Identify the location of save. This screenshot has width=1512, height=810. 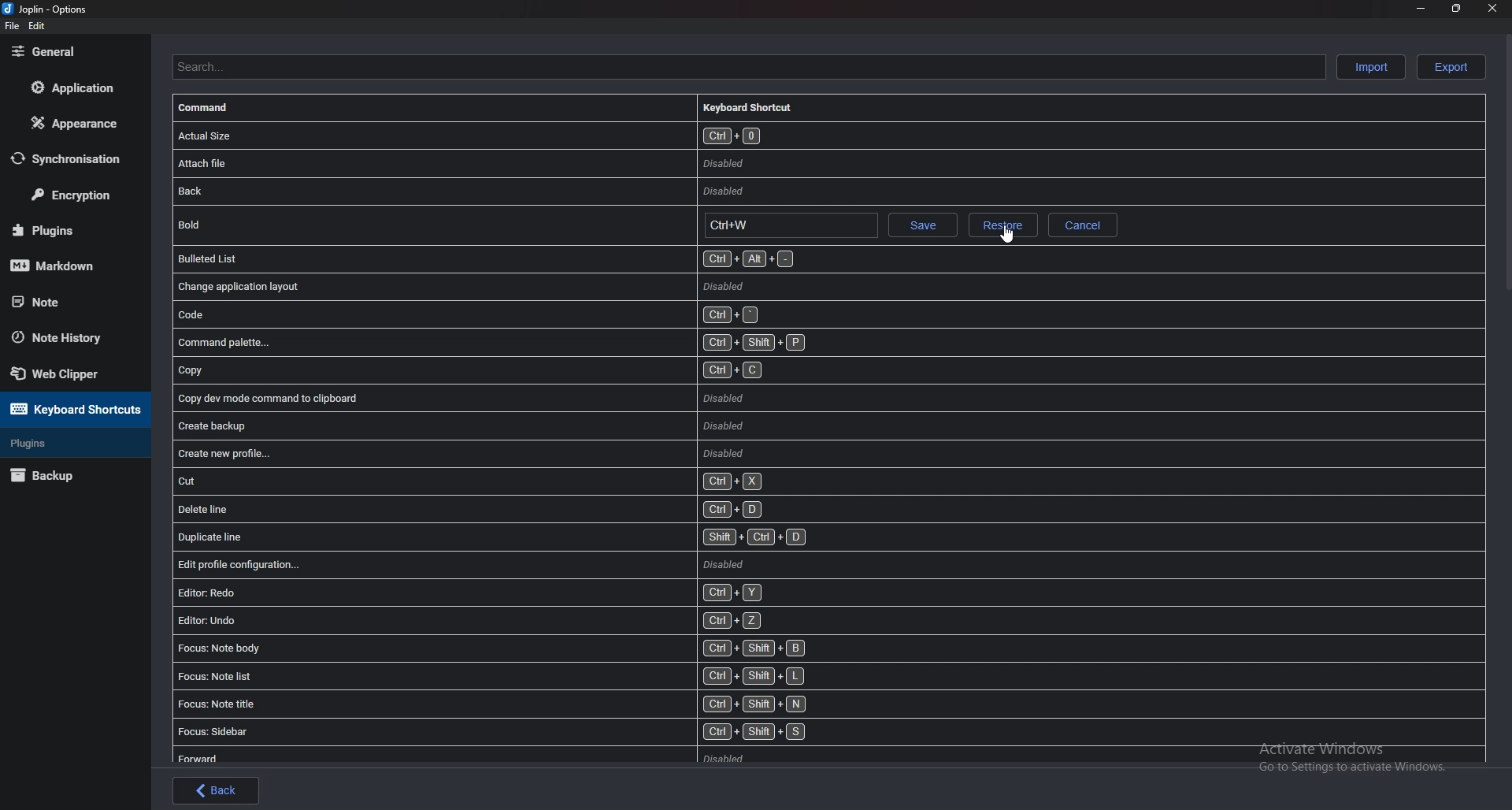
(923, 225).